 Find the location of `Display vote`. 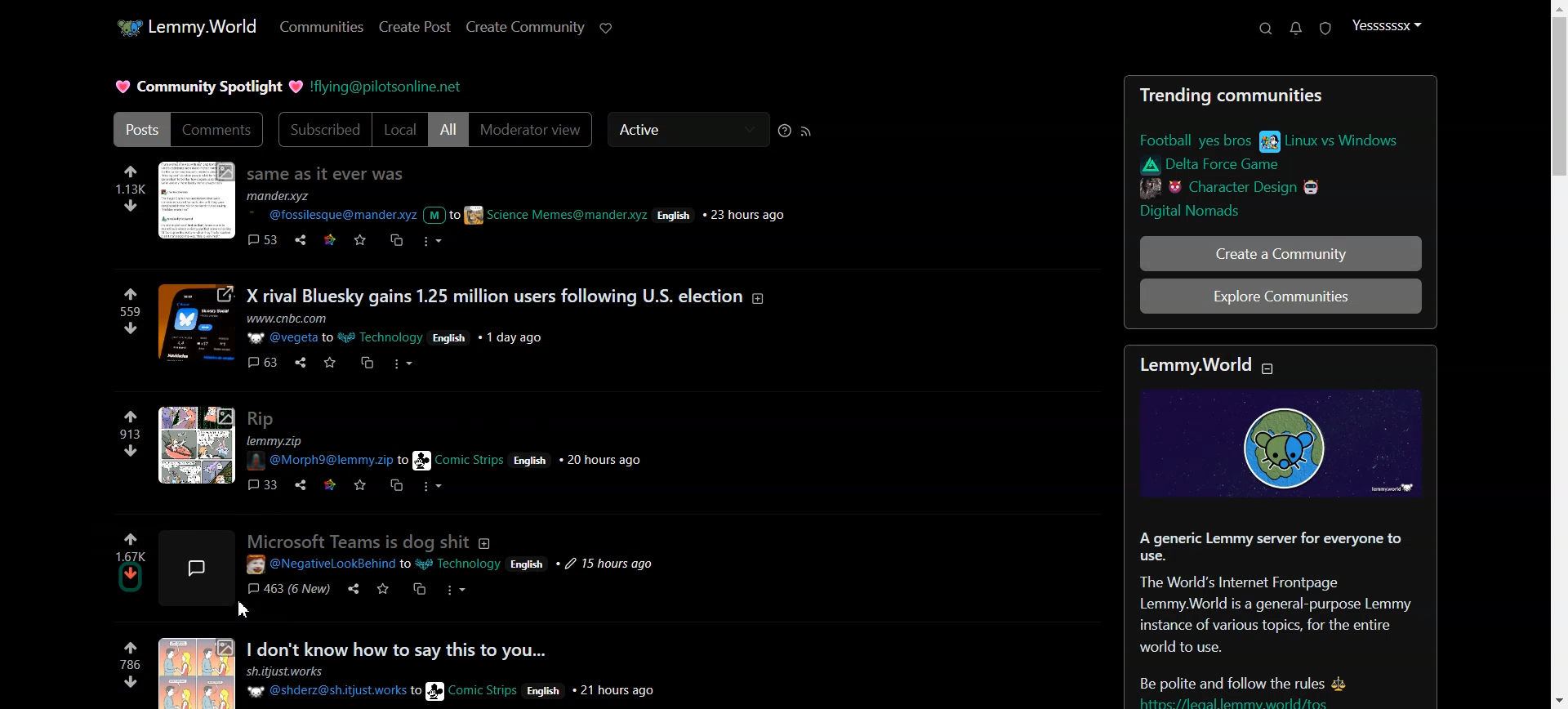

Display vote is located at coordinates (134, 556).